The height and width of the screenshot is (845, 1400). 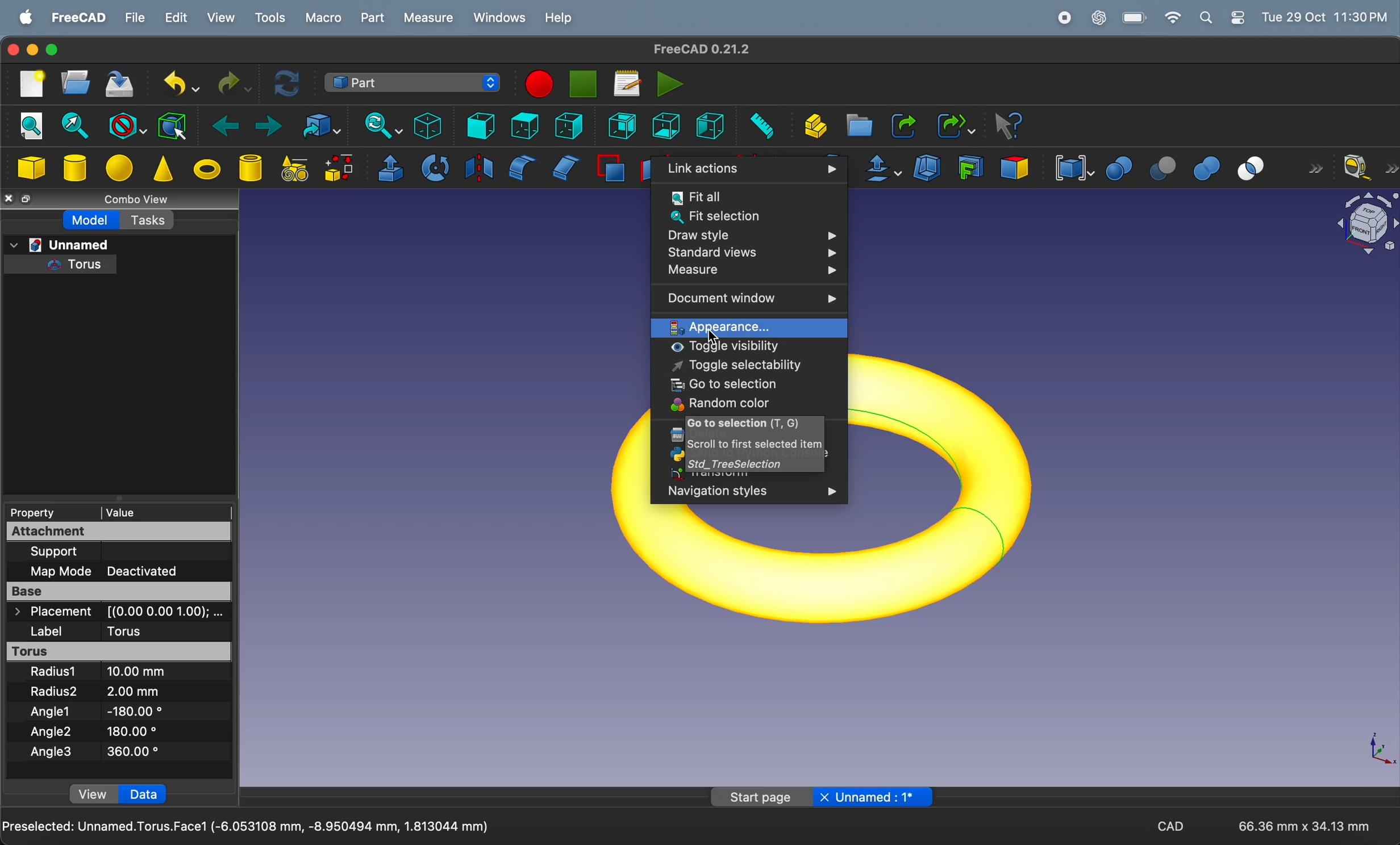 What do you see at coordinates (665, 126) in the screenshot?
I see `bottom view` at bounding box center [665, 126].